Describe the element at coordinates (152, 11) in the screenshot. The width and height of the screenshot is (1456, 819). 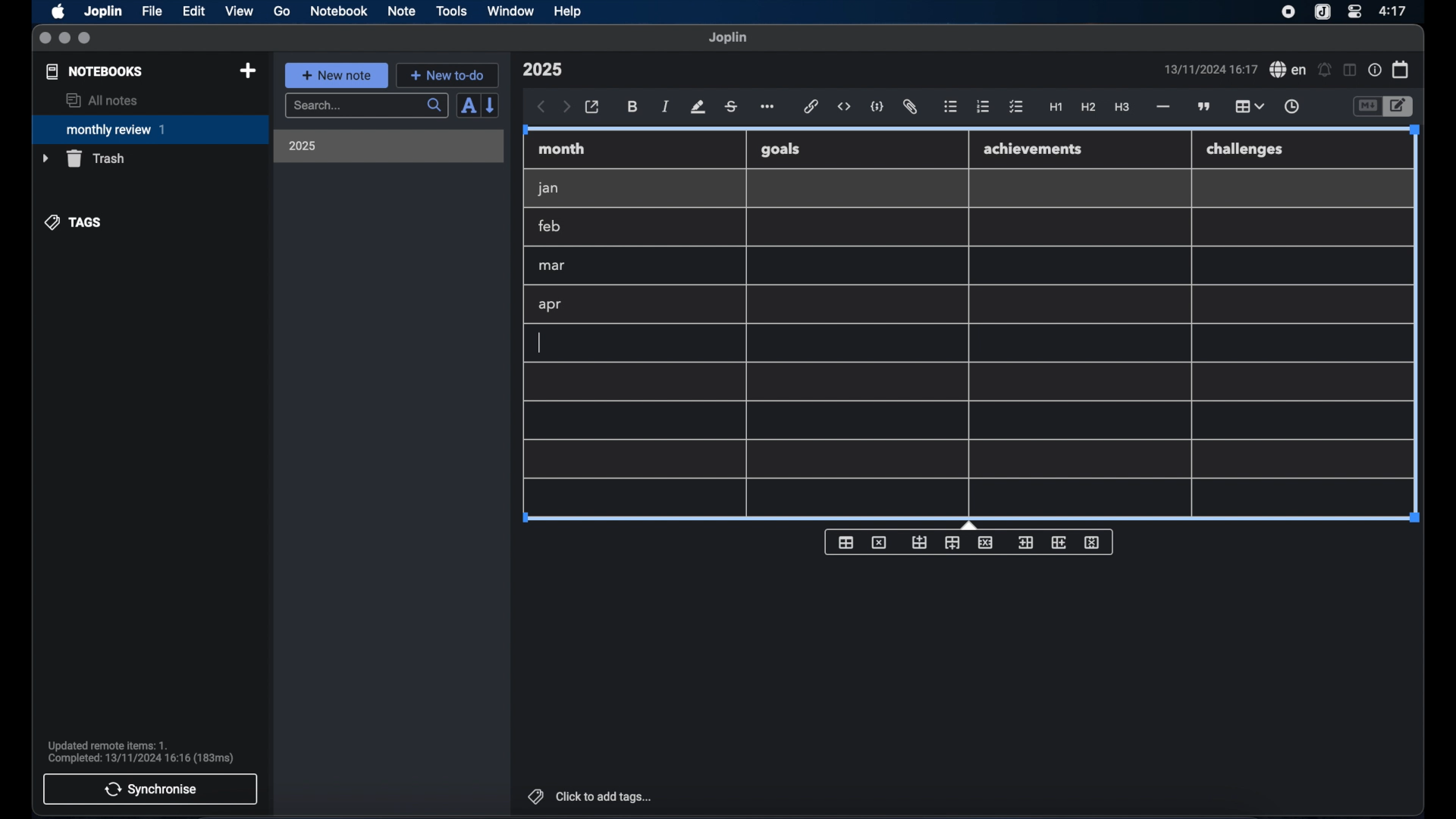
I see `file` at that location.